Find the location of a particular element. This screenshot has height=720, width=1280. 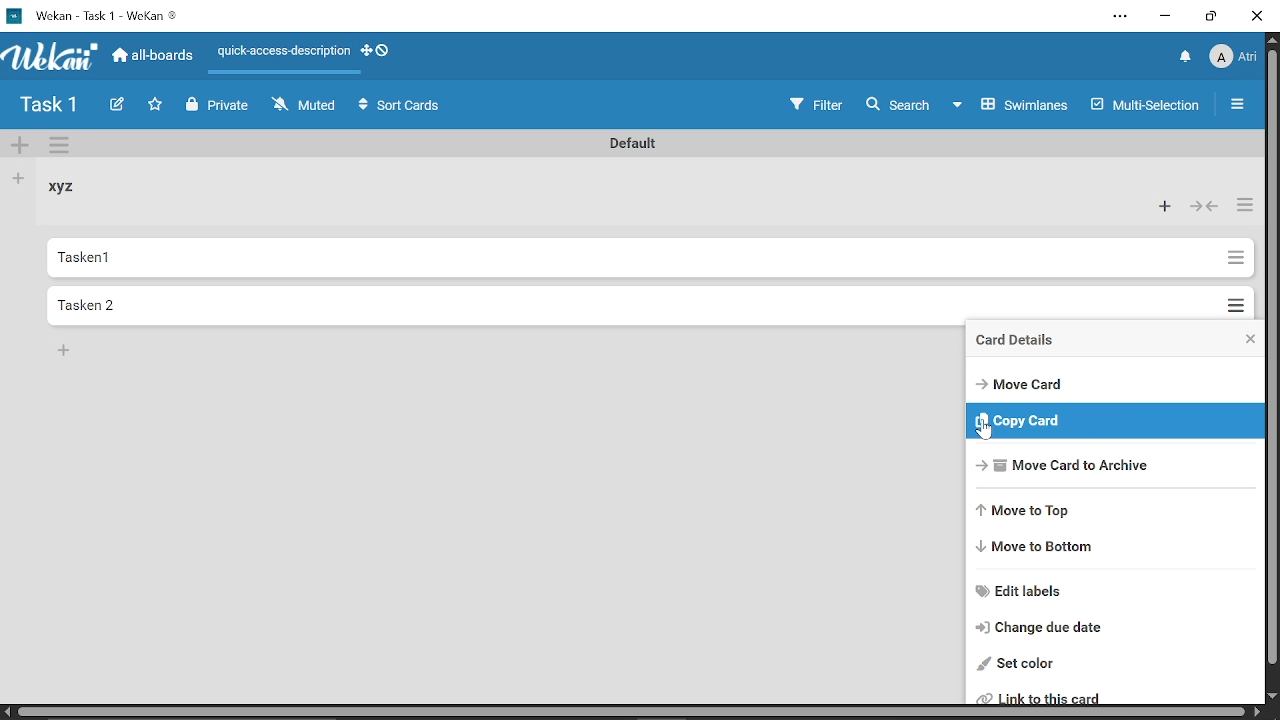

List actions is located at coordinates (1241, 206).